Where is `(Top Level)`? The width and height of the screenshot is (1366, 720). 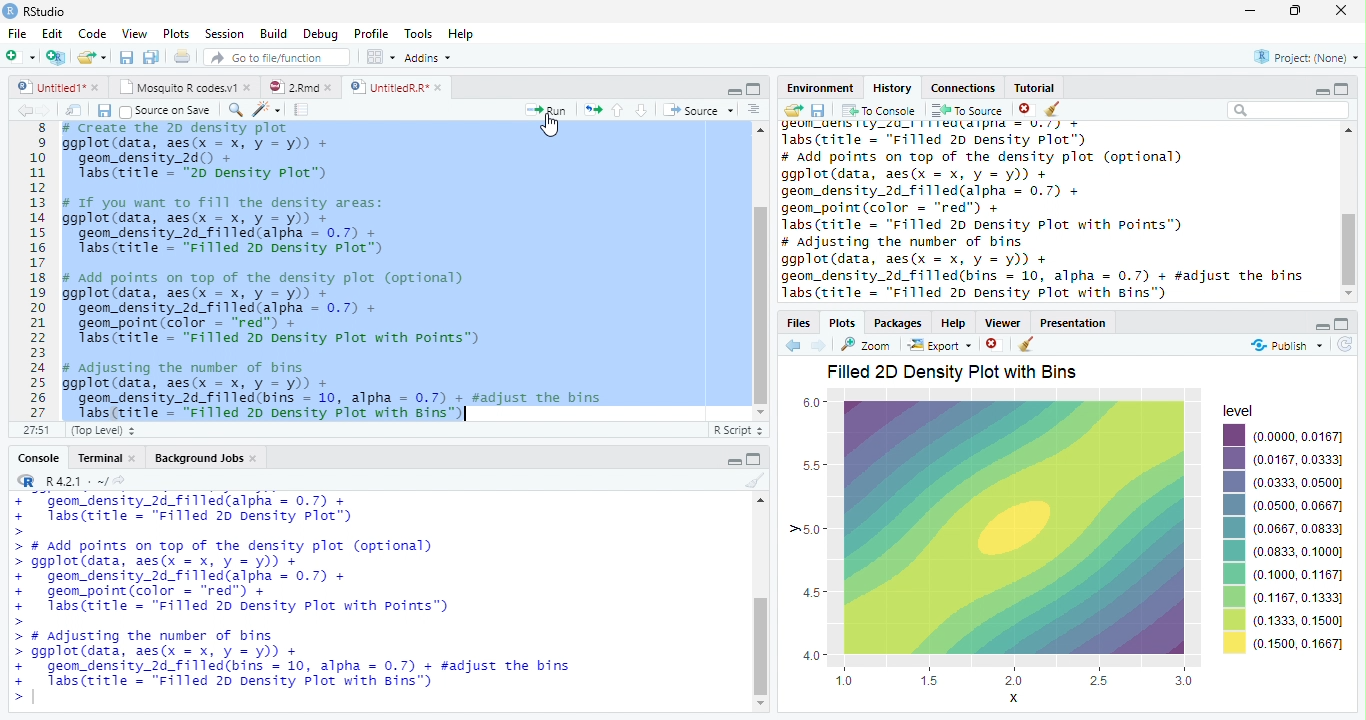 (Top Level) is located at coordinates (101, 431).